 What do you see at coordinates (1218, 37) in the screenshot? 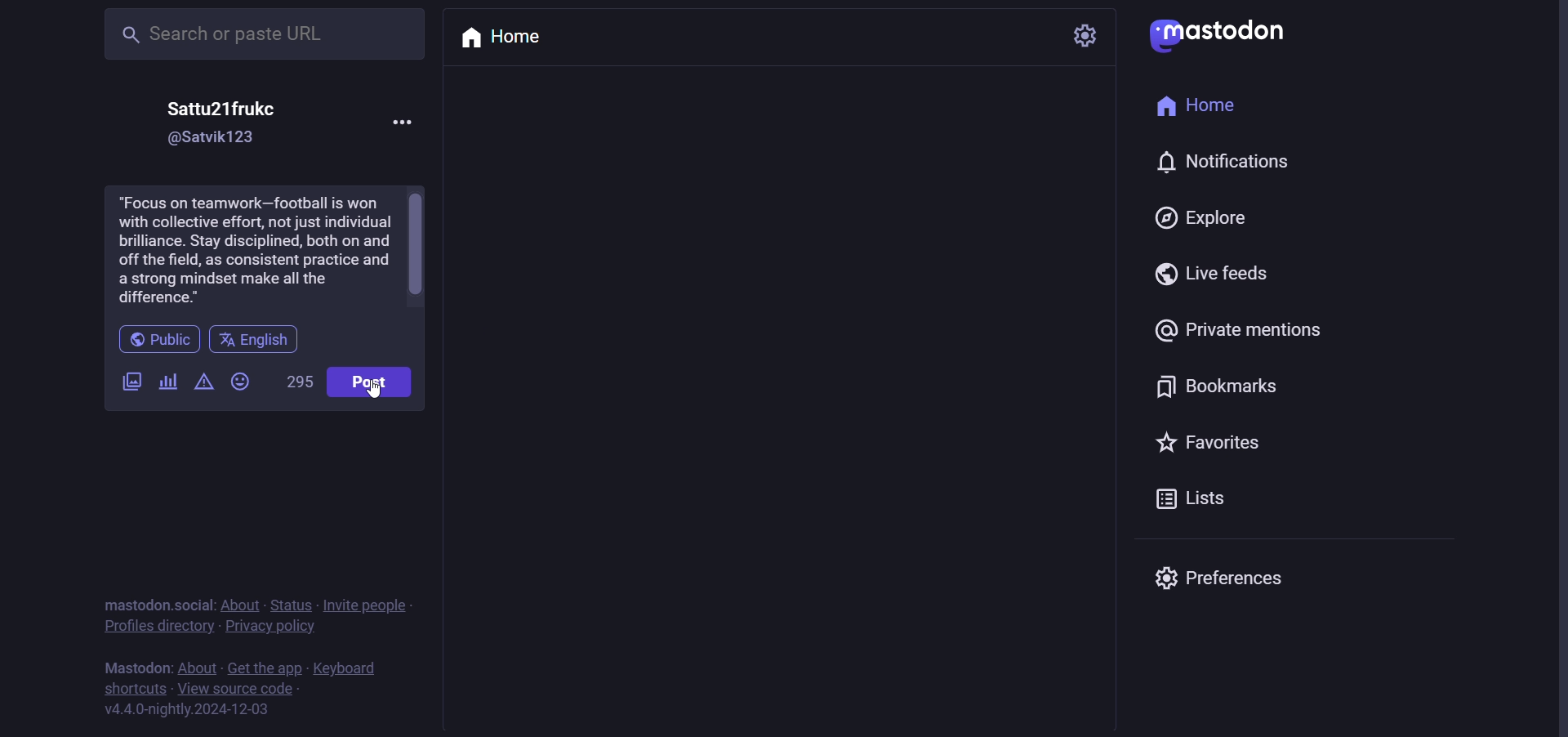
I see `mastodon` at bounding box center [1218, 37].